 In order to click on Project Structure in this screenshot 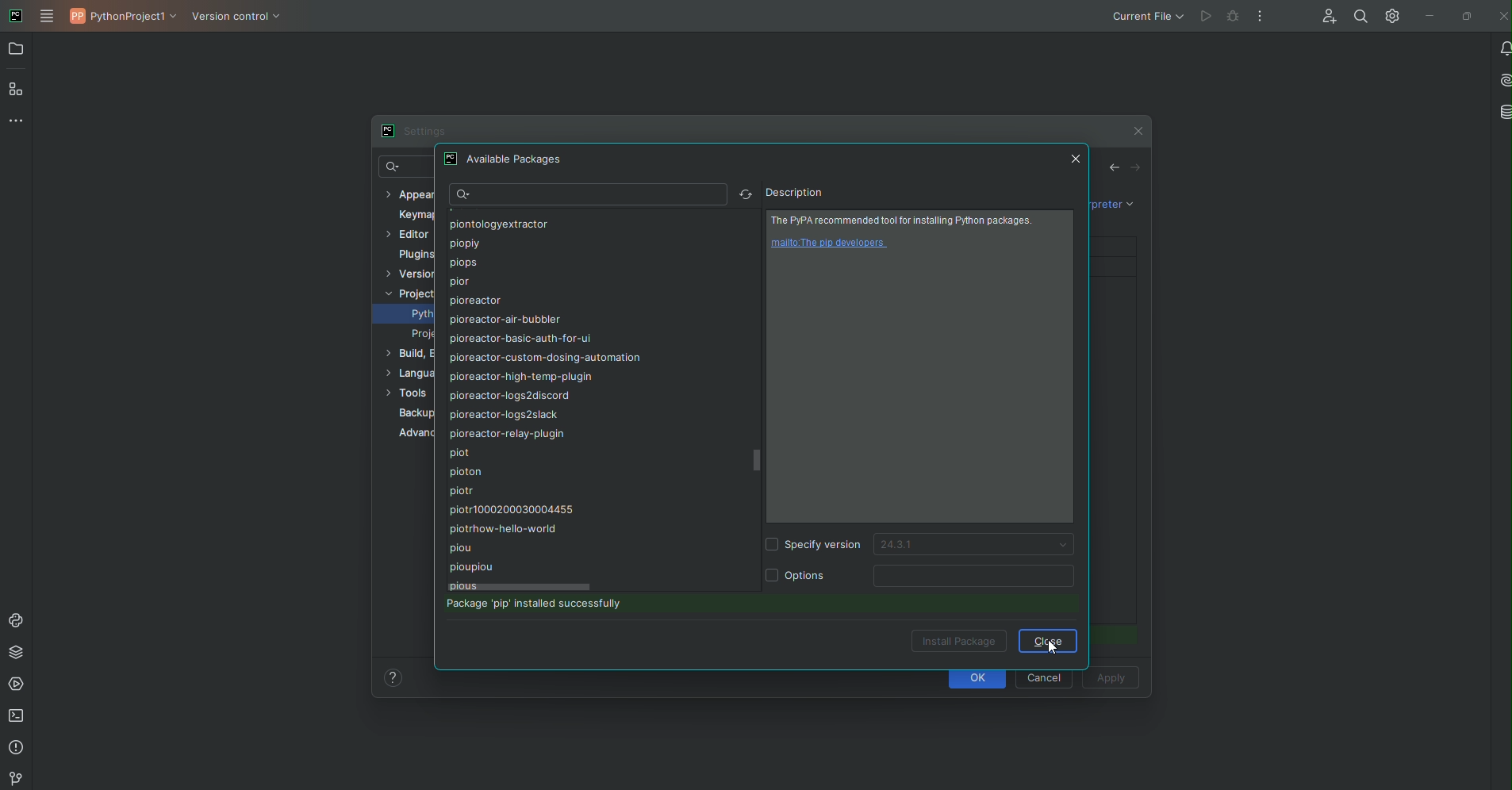, I will do `click(420, 336)`.